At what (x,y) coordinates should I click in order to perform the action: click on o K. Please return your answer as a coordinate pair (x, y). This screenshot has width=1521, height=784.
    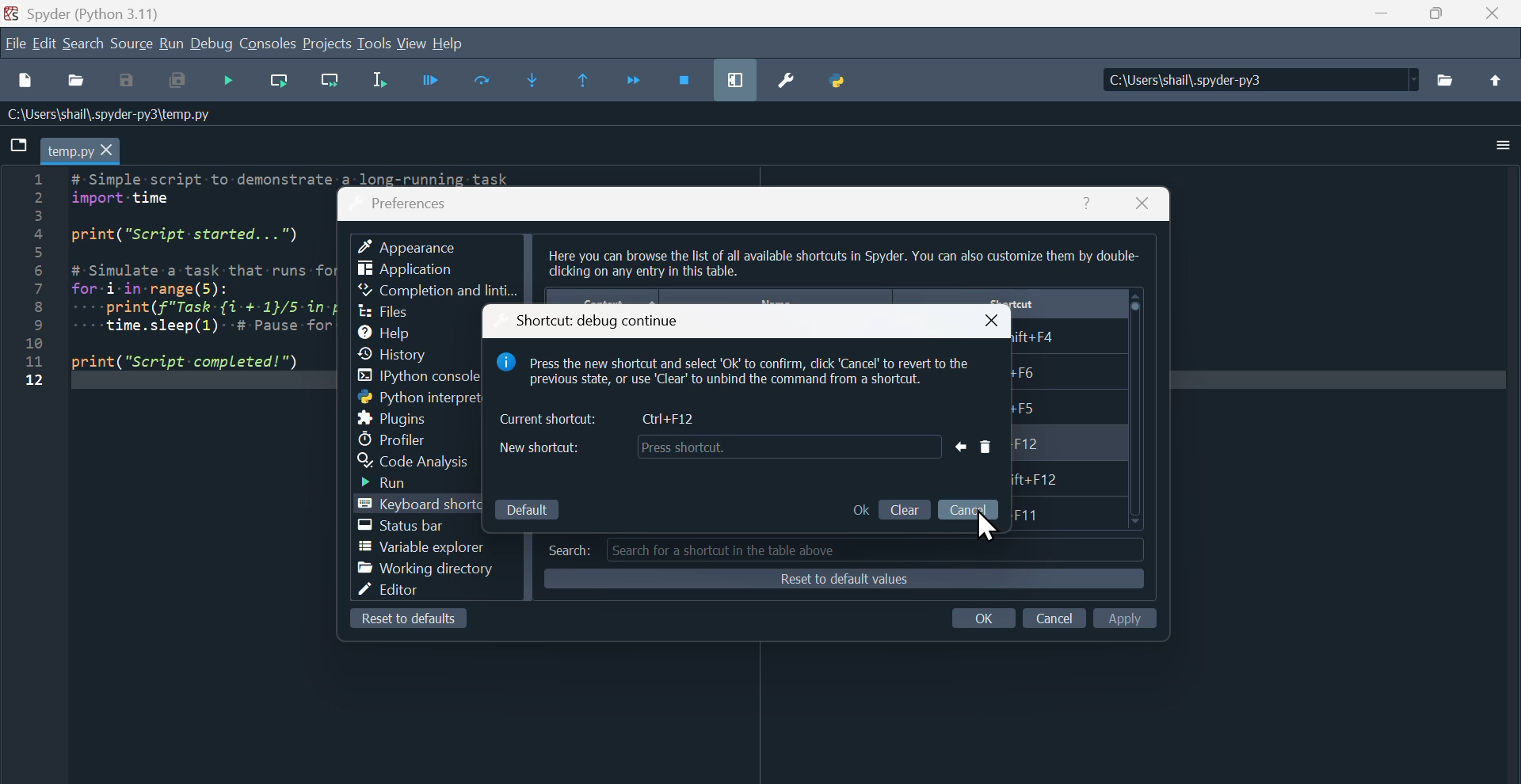
    Looking at the image, I should click on (858, 508).